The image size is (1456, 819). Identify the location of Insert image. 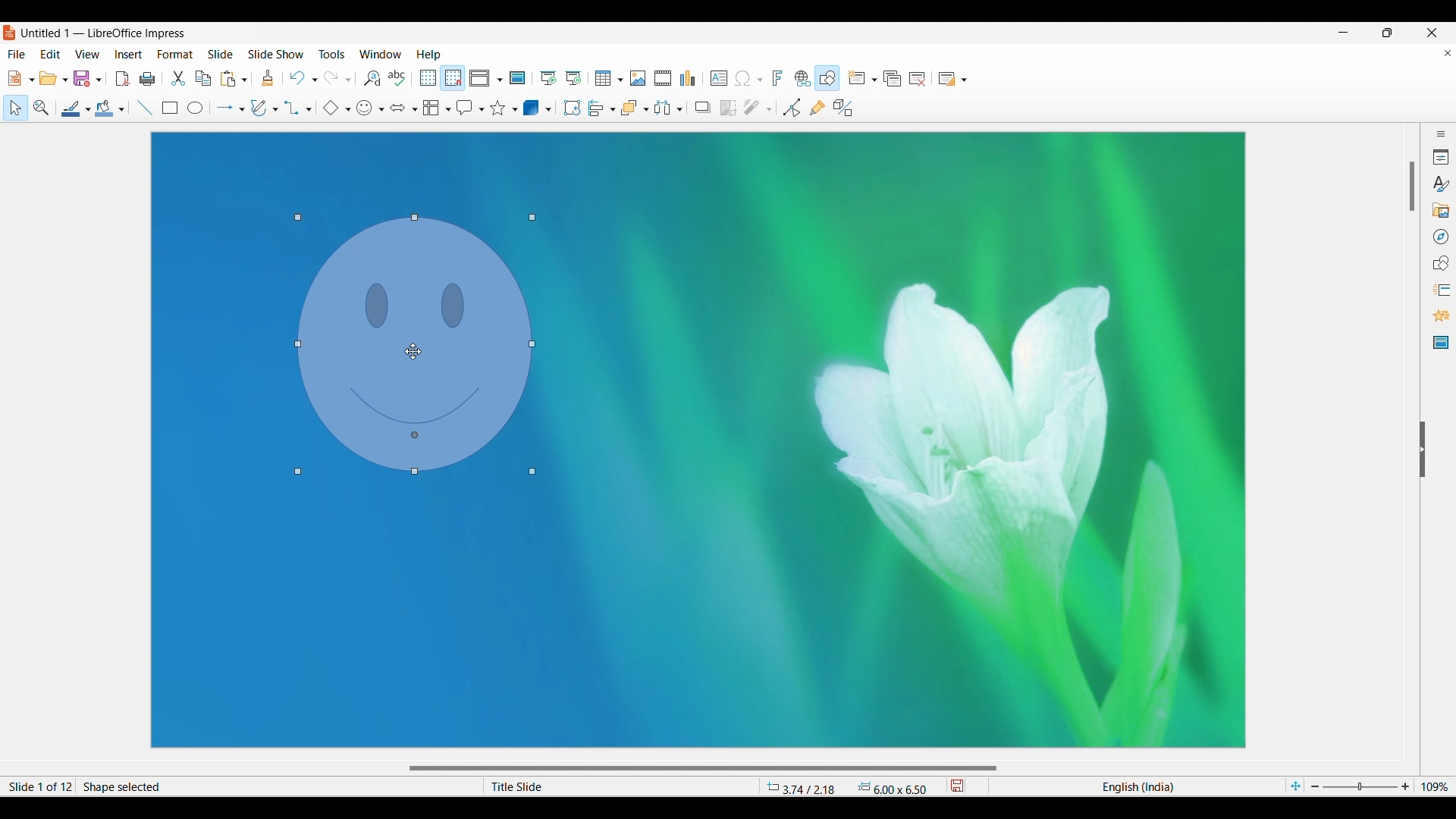
(638, 78).